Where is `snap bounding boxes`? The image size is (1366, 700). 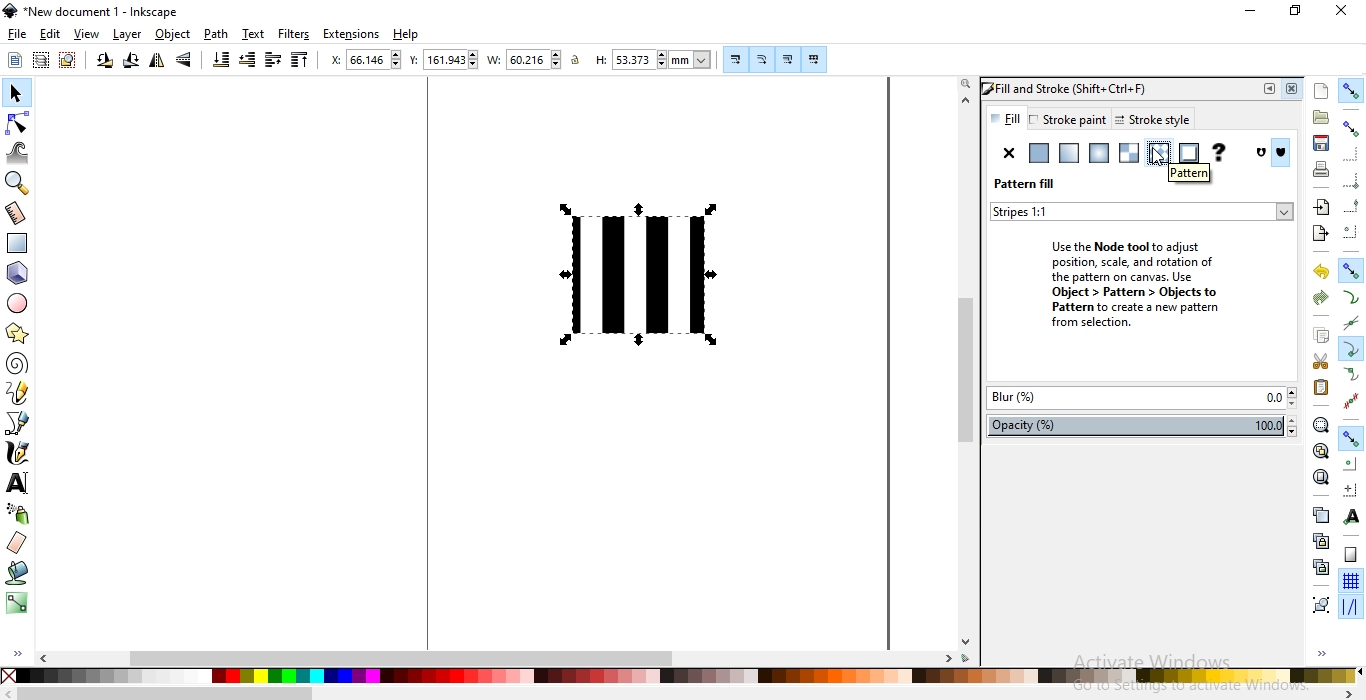
snap bounding boxes is located at coordinates (1352, 128).